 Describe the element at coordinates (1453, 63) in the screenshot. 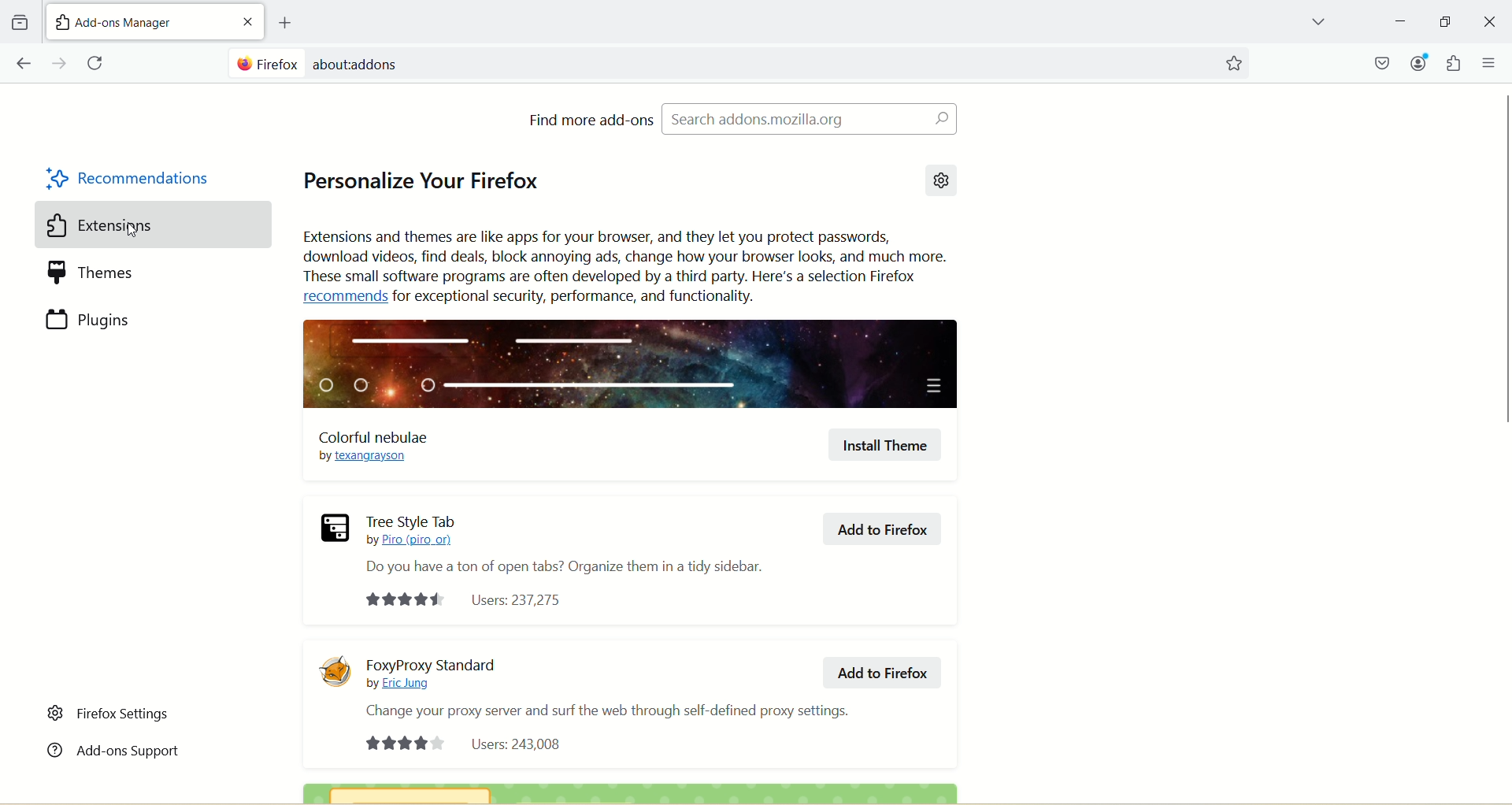

I see `Widget` at that location.